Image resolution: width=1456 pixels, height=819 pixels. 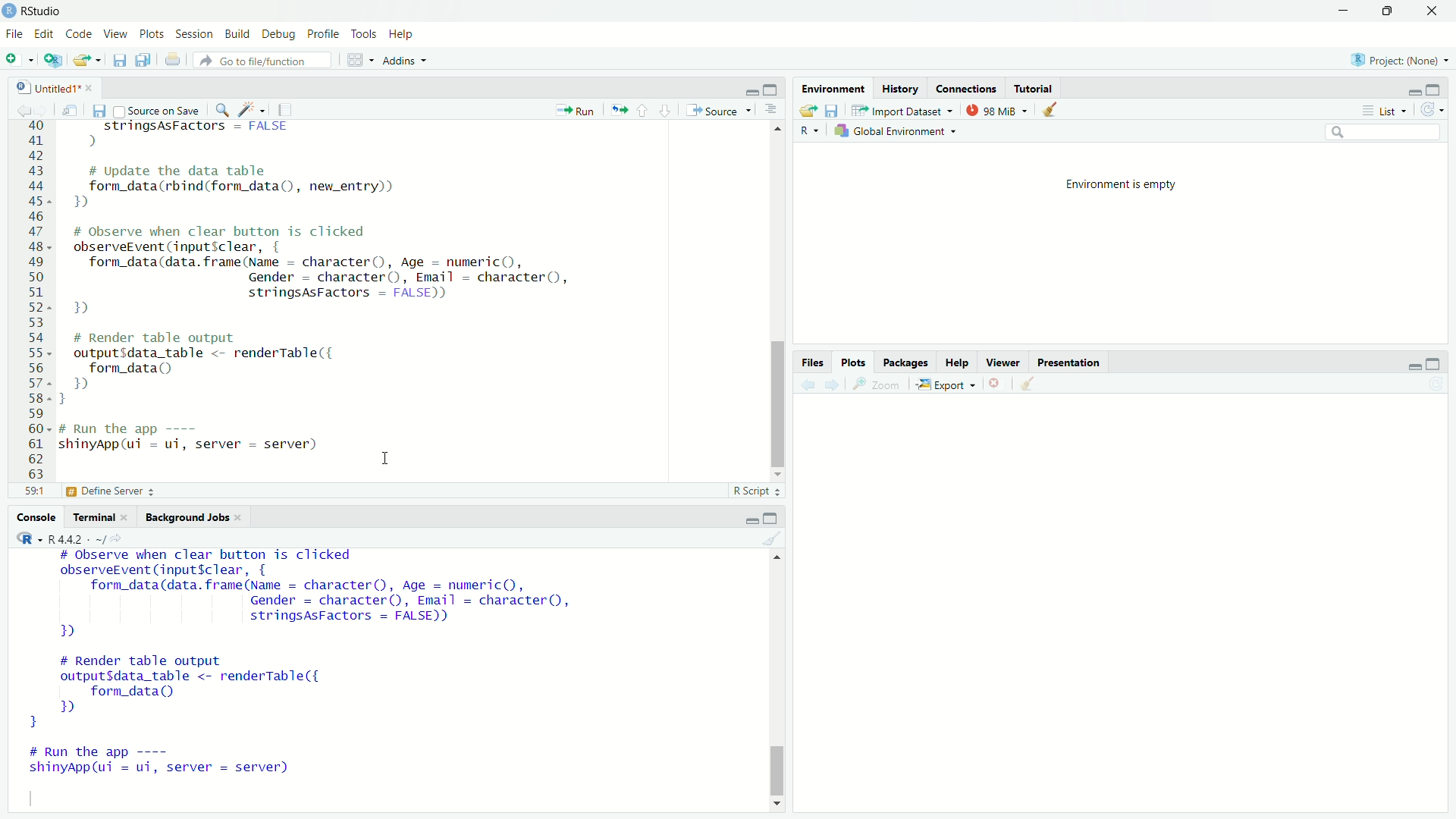 What do you see at coordinates (945, 385) in the screenshot?
I see `export` at bounding box center [945, 385].